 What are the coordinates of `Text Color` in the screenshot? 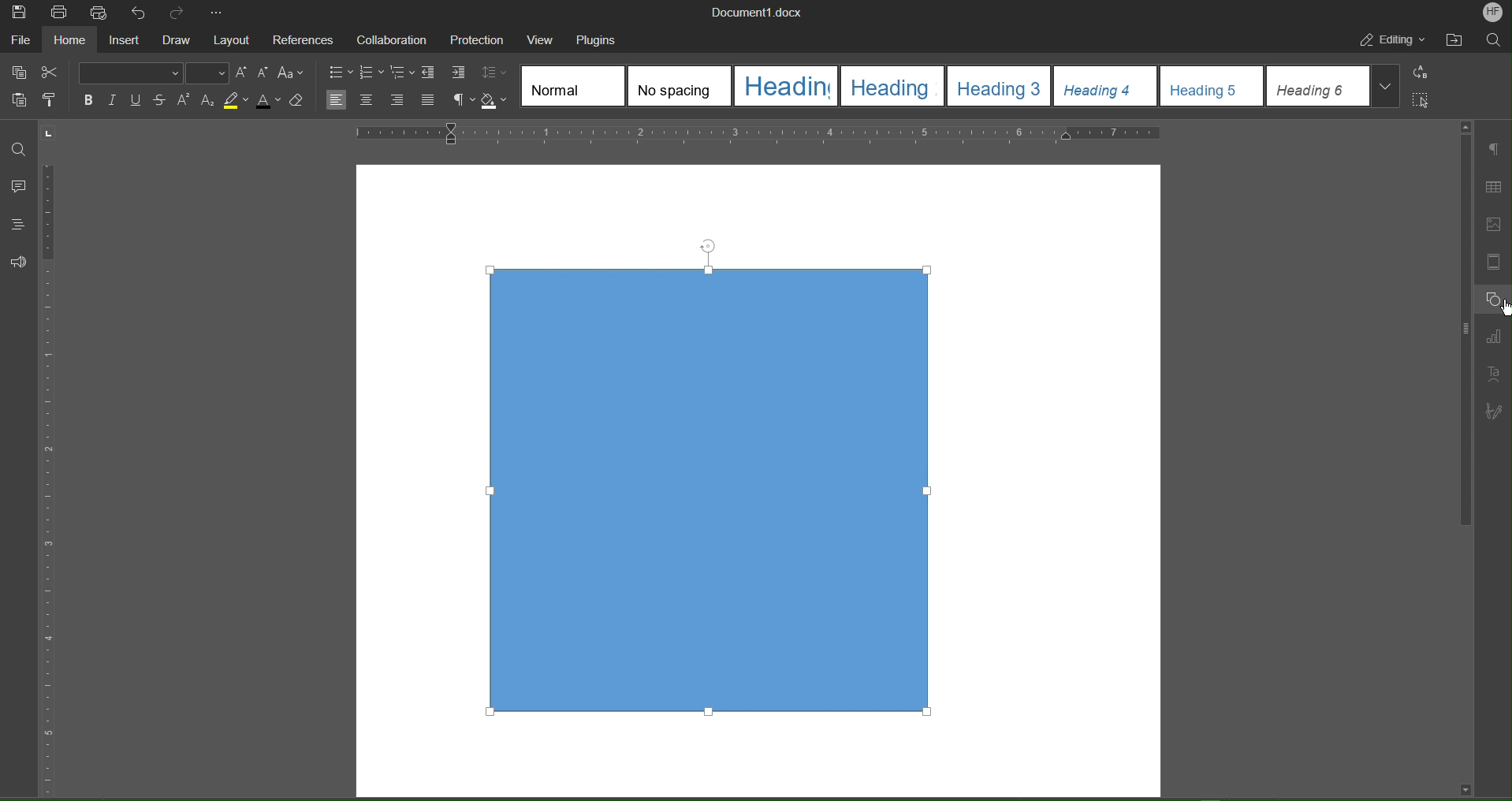 It's located at (268, 102).